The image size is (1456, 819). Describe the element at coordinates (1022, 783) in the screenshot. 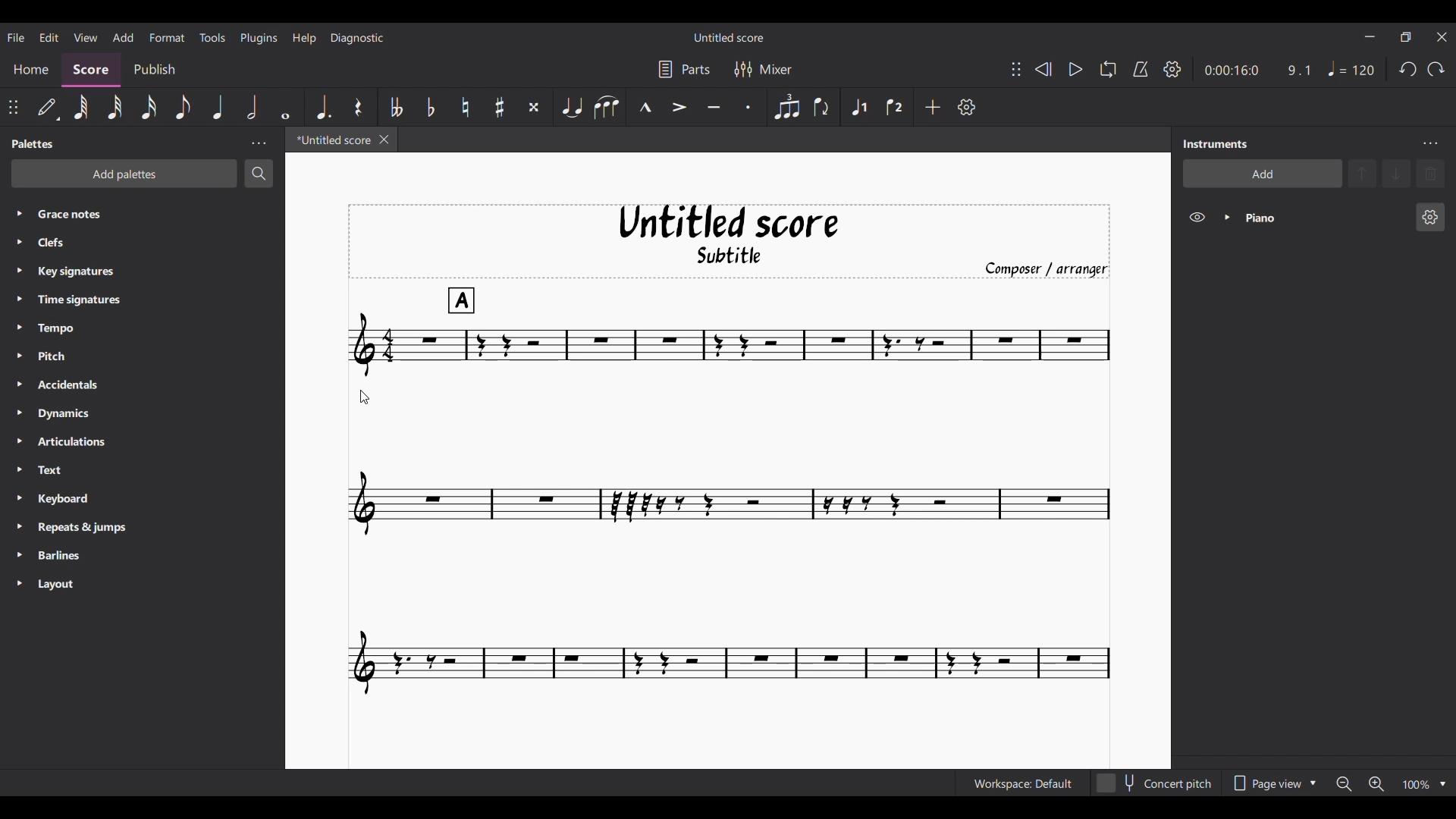

I see `Current workspace settings` at that location.